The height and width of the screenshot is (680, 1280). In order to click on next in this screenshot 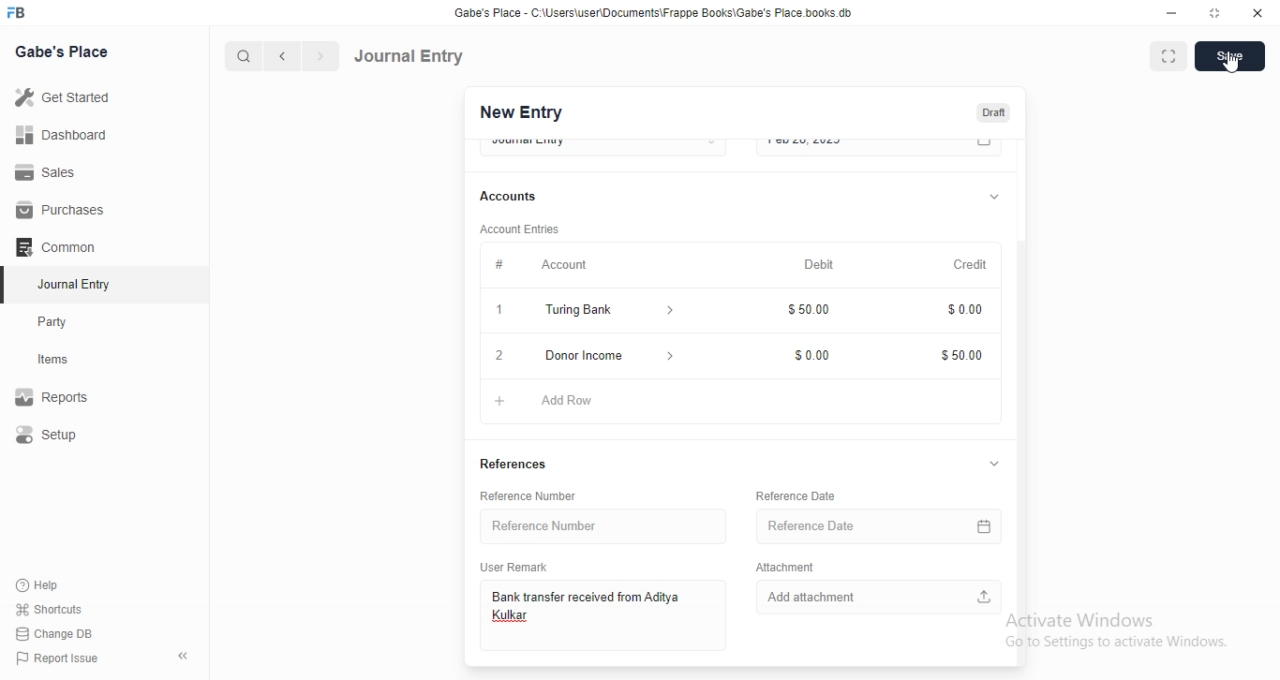, I will do `click(318, 57)`.